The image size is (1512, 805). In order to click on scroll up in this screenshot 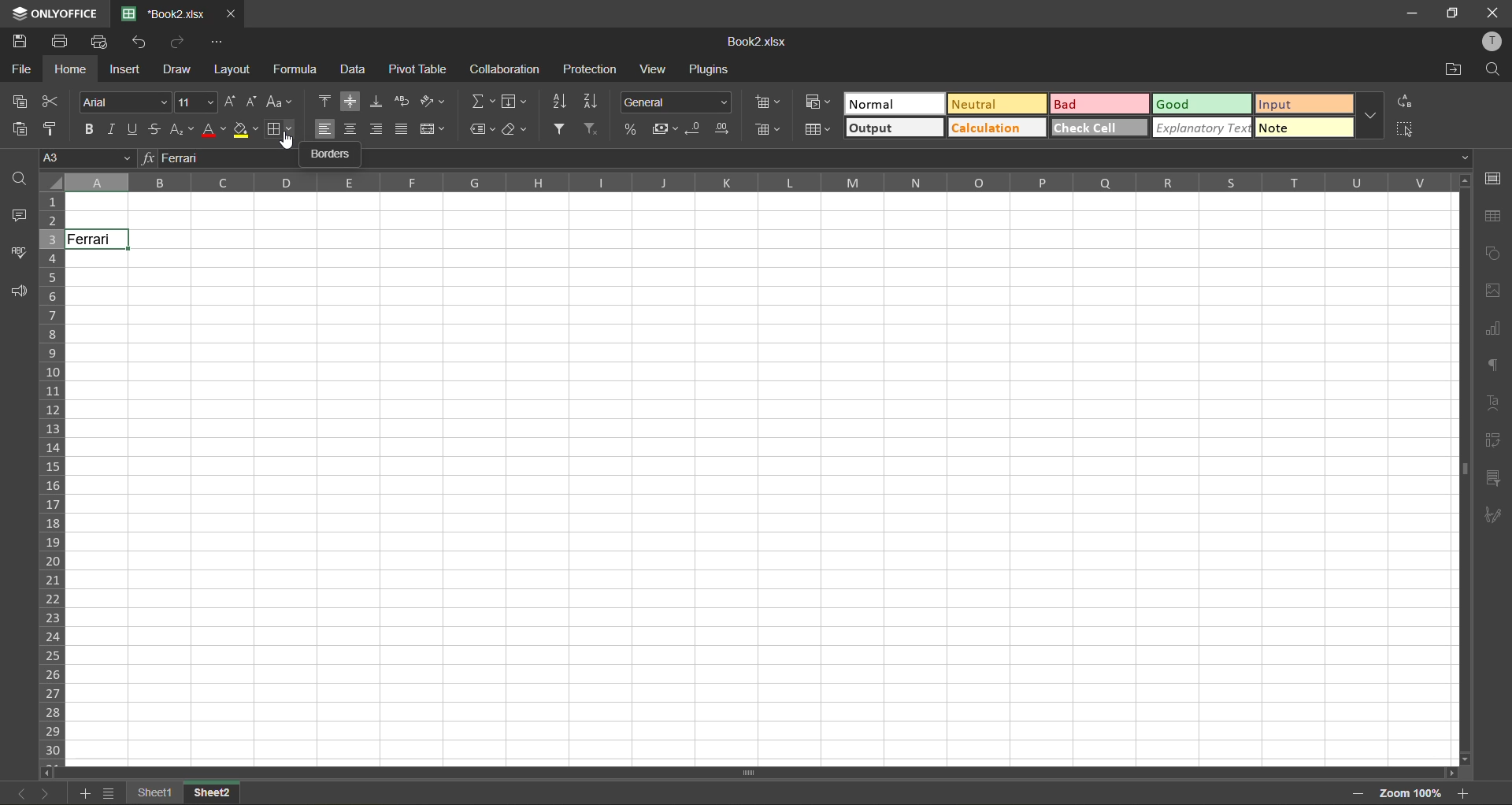, I will do `click(1462, 182)`.